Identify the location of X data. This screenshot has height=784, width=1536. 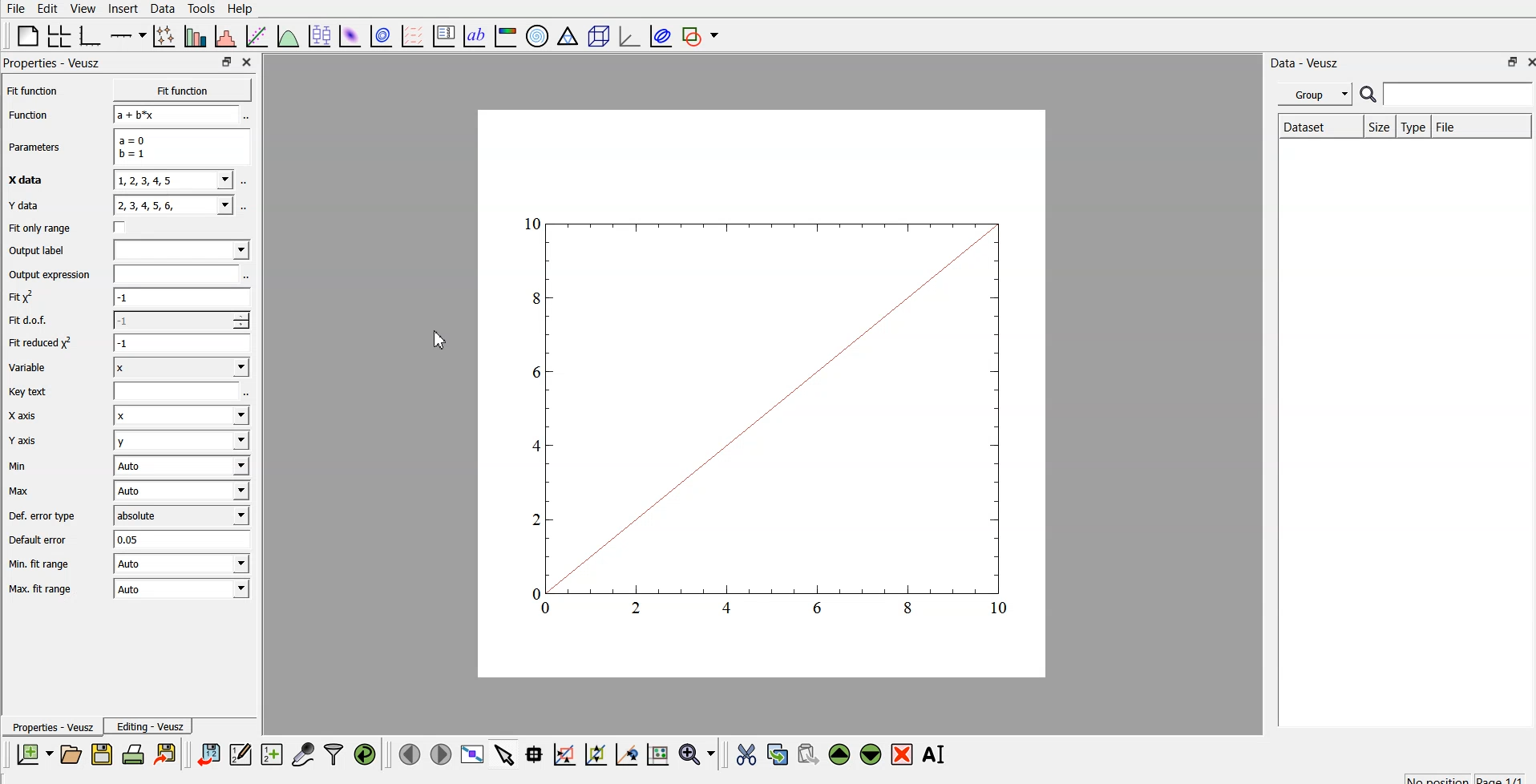
(46, 180).